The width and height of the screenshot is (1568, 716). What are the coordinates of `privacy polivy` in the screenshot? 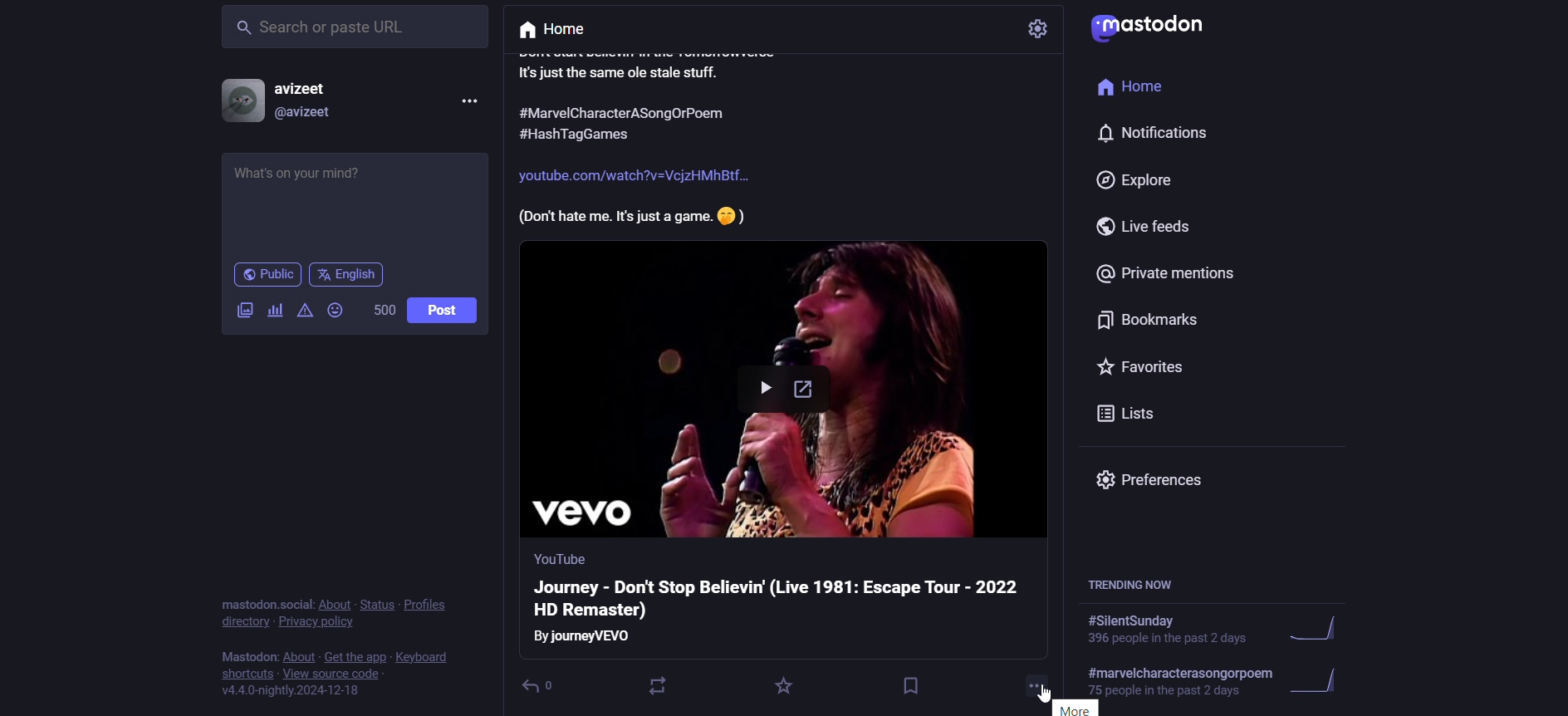 It's located at (322, 622).